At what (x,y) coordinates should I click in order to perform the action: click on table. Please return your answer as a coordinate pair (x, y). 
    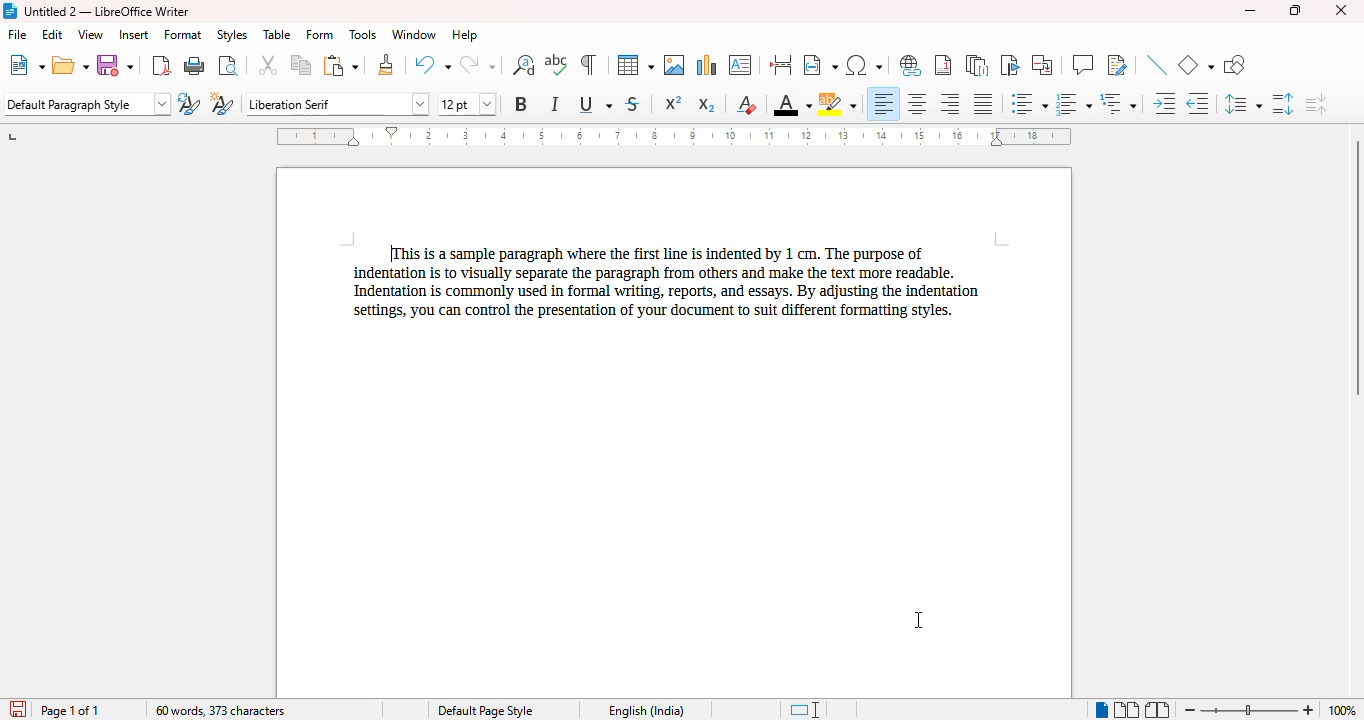
    Looking at the image, I should click on (635, 65).